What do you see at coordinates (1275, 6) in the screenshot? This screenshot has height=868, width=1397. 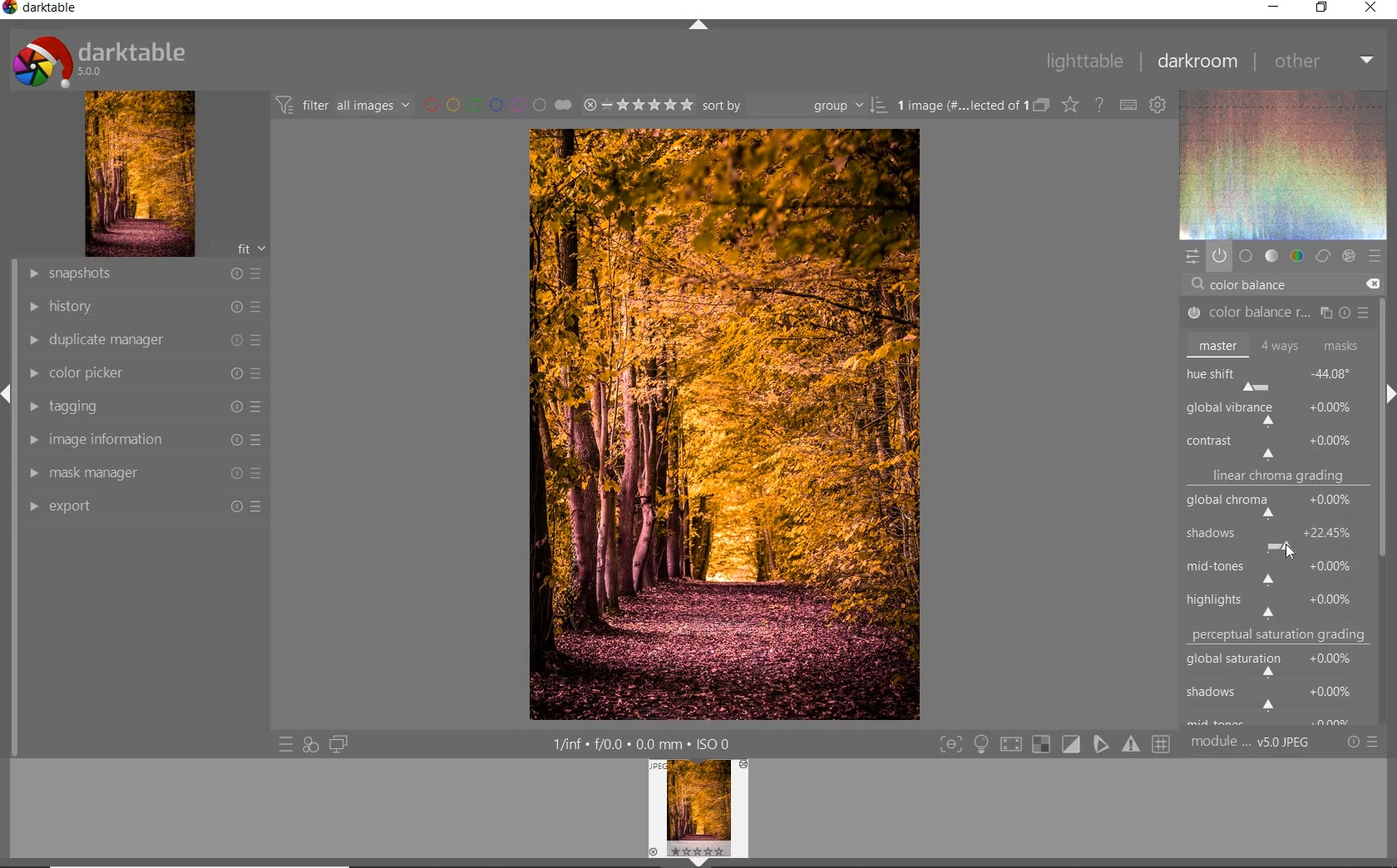 I see `minimize` at bounding box center [1275, 6].